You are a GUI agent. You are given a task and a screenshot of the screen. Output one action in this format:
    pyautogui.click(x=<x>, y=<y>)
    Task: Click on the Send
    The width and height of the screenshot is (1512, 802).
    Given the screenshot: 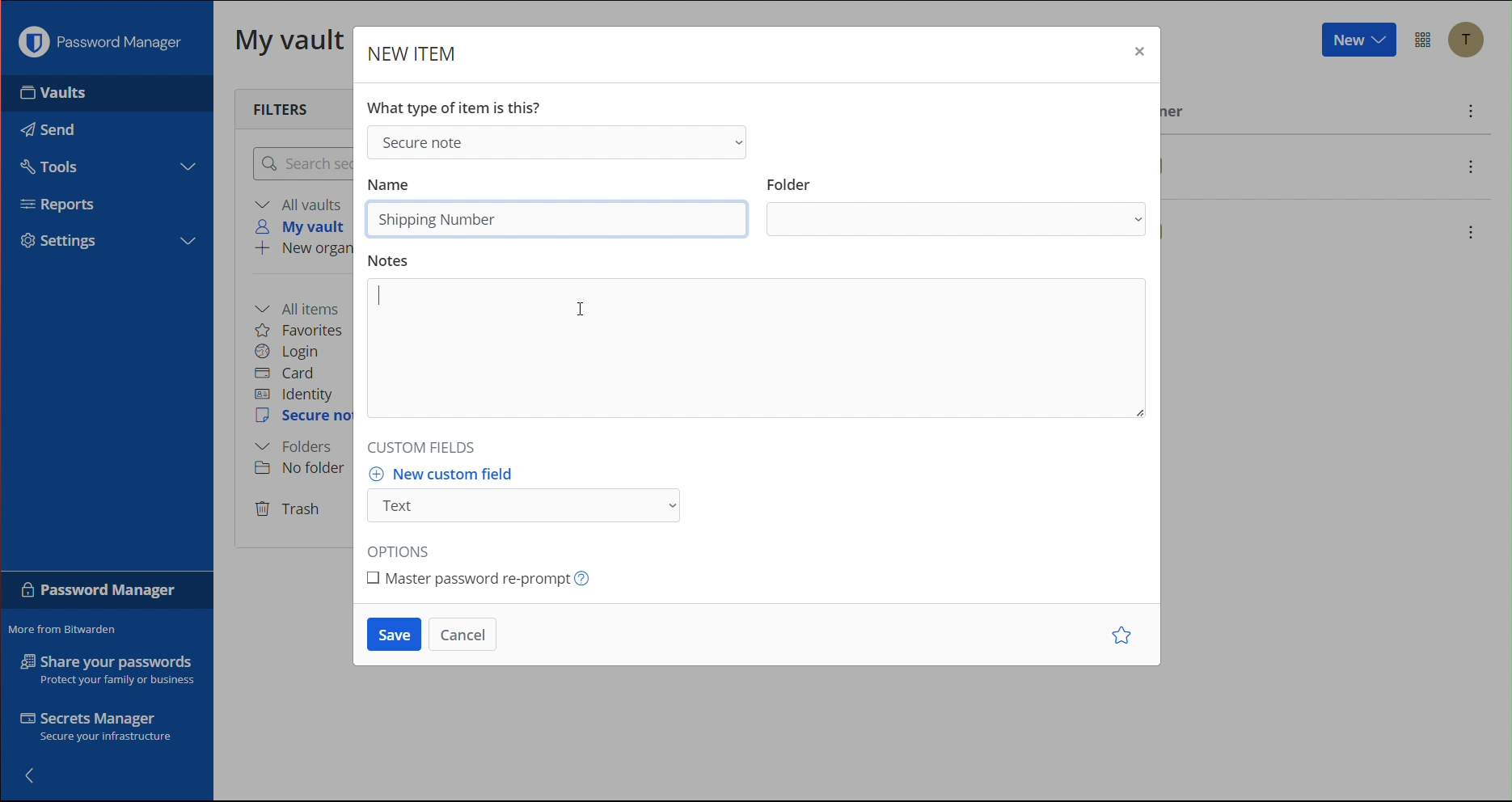 What is the action you would take?
    pyautogui.click(x=48, y=129)
    